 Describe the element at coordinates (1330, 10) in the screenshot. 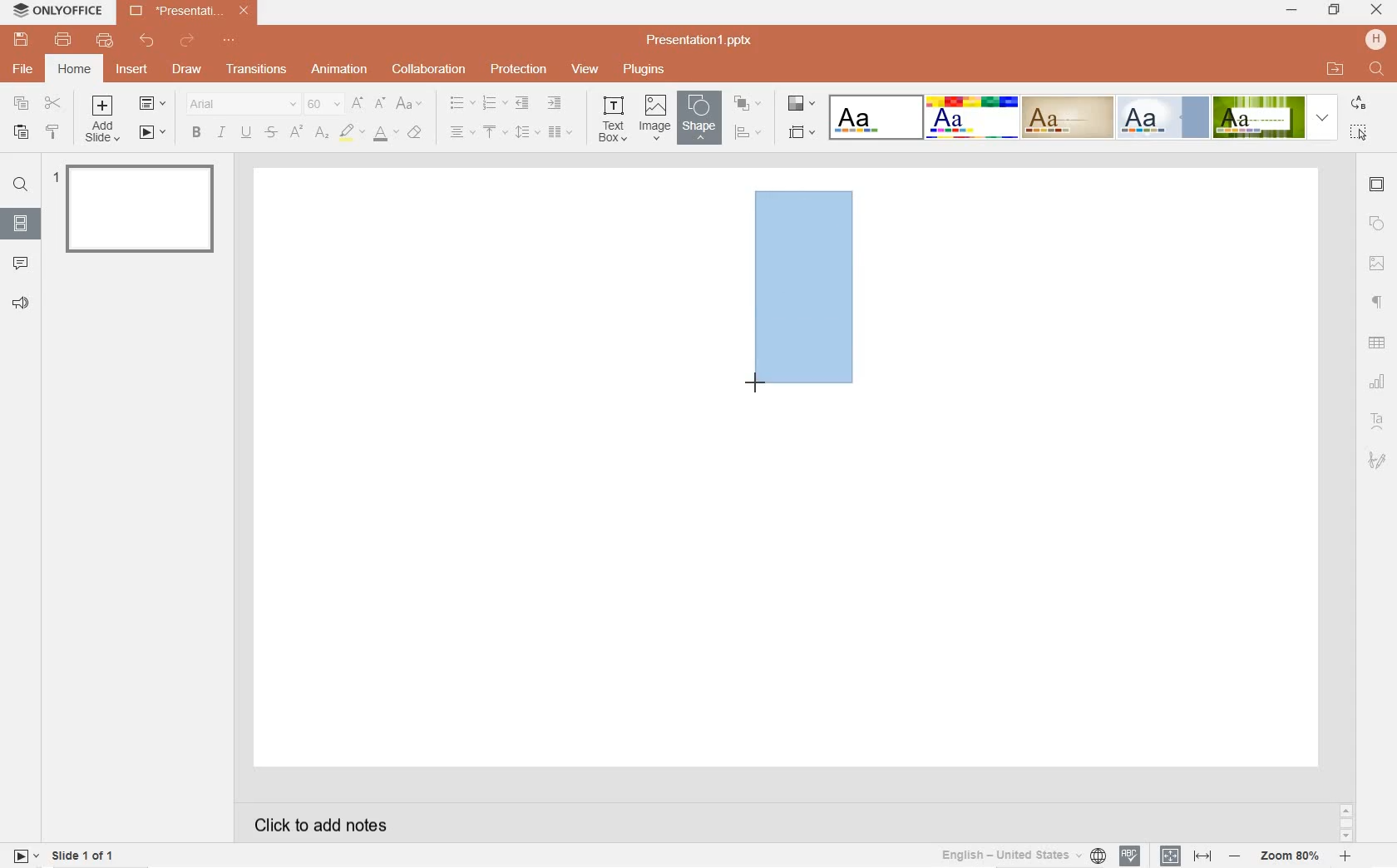

I see `RESTORE` at that location.